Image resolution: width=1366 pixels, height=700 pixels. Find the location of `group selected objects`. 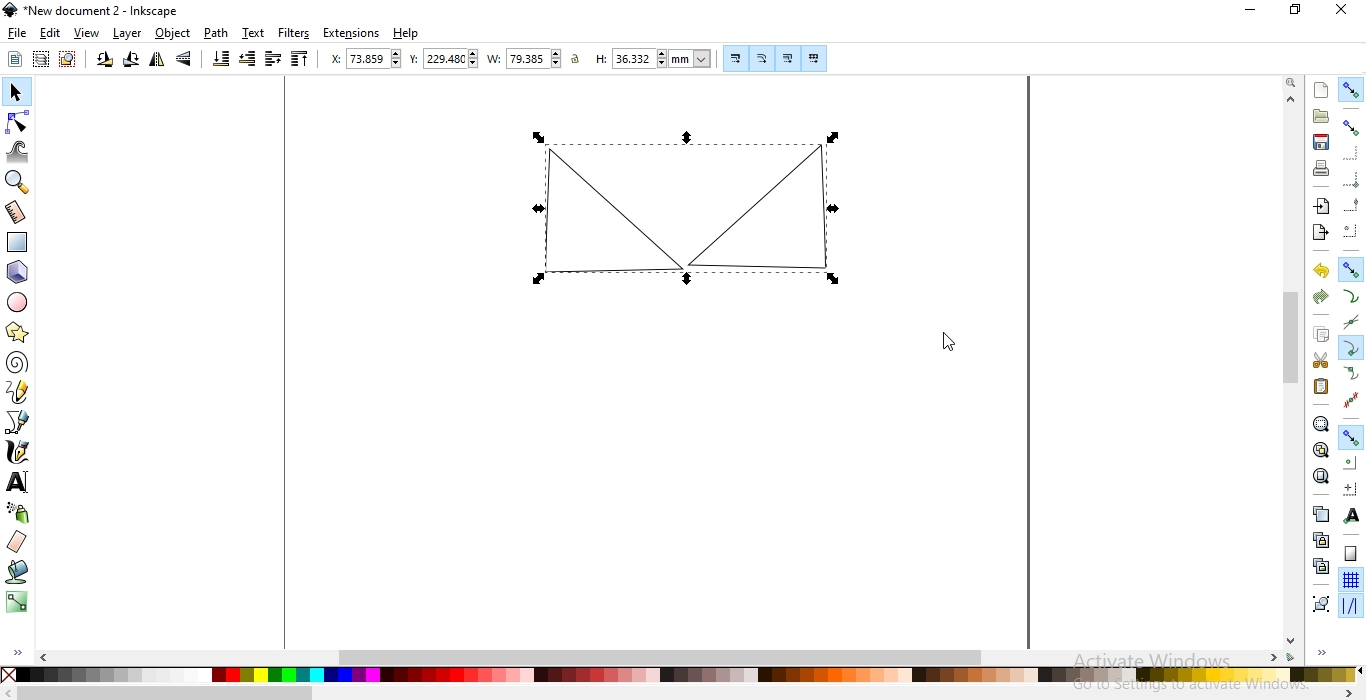

group selected objects is located at coordinates (1319, 601).